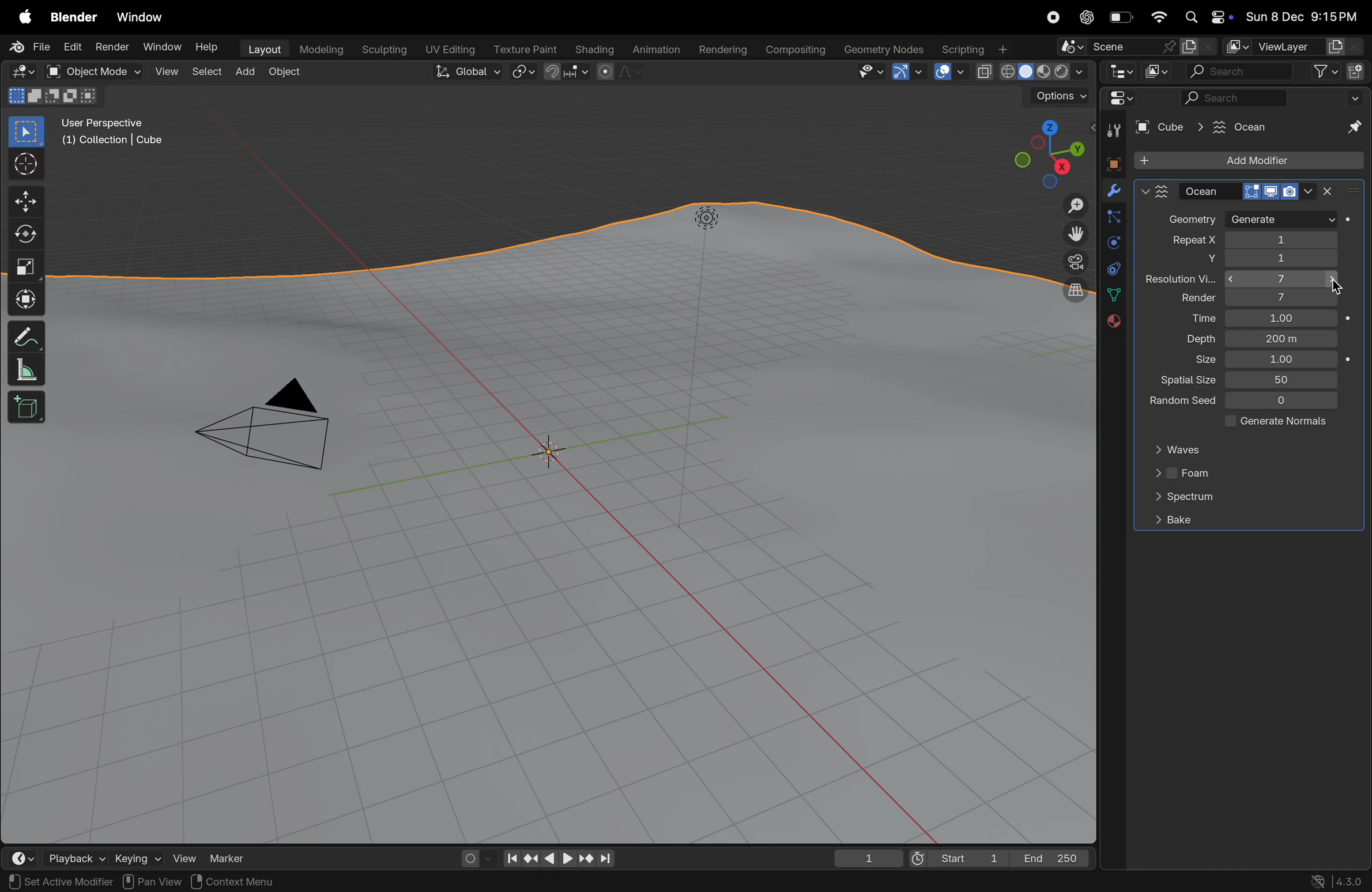 This screenshot has height=892, width=1372. What do you see at coordinates (1073, 233) in the screenshot?
I see `move the view` at bounding box center [1073, 233].